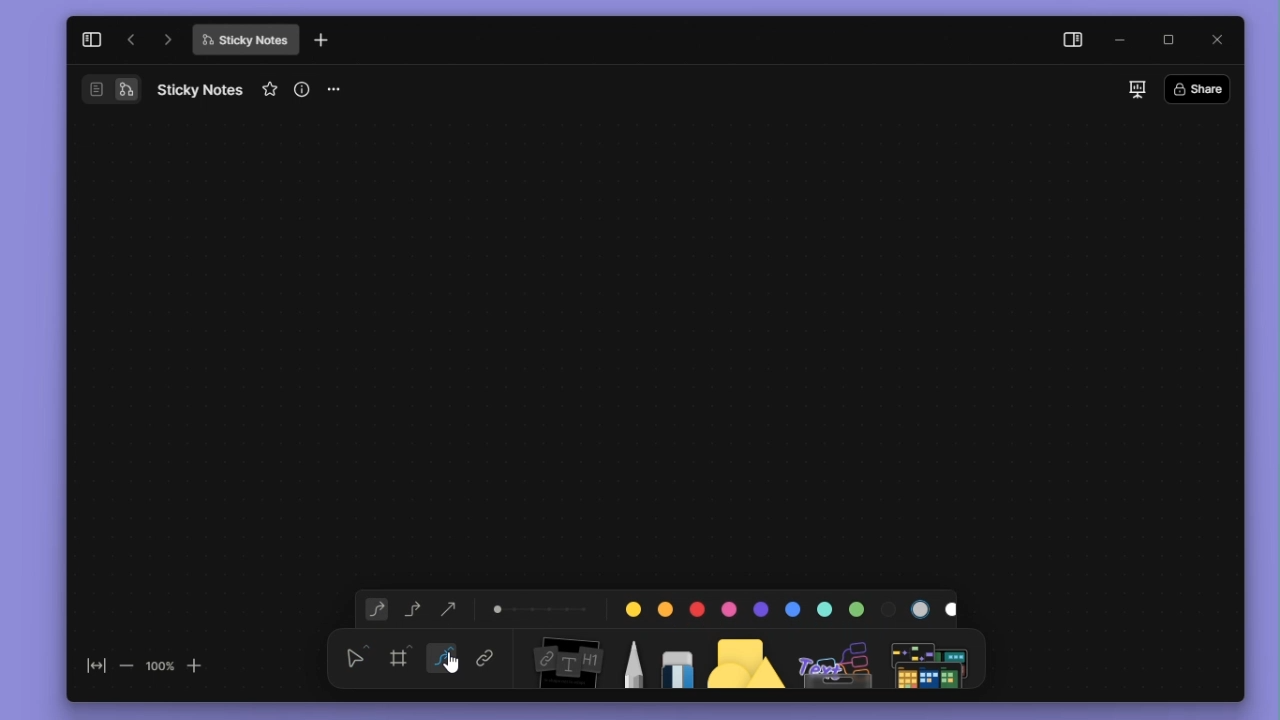  I want to click on straight, so click(450, 606).